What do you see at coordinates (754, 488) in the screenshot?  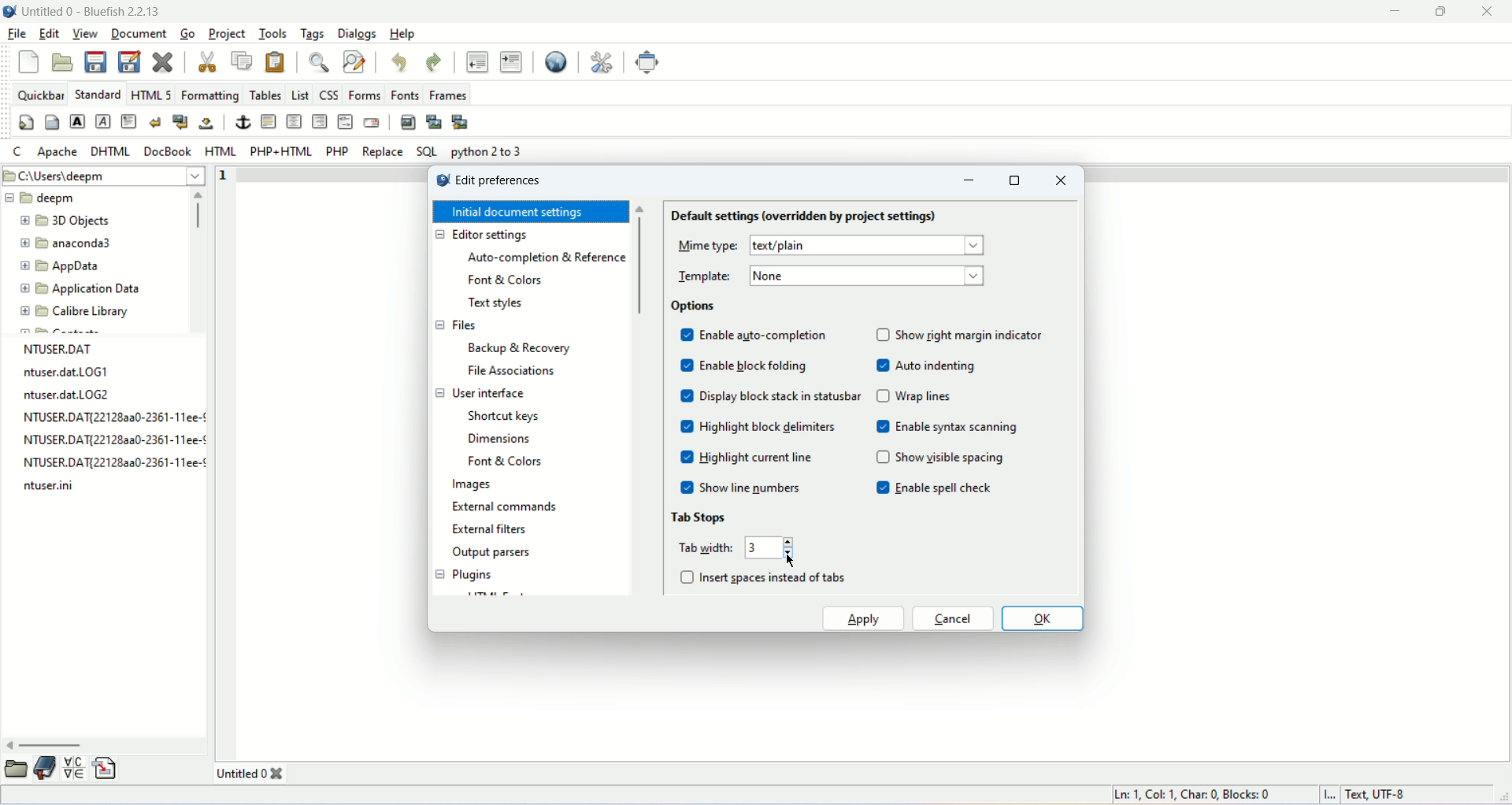 I see `show line numbers` at bounding box center [754, 488].